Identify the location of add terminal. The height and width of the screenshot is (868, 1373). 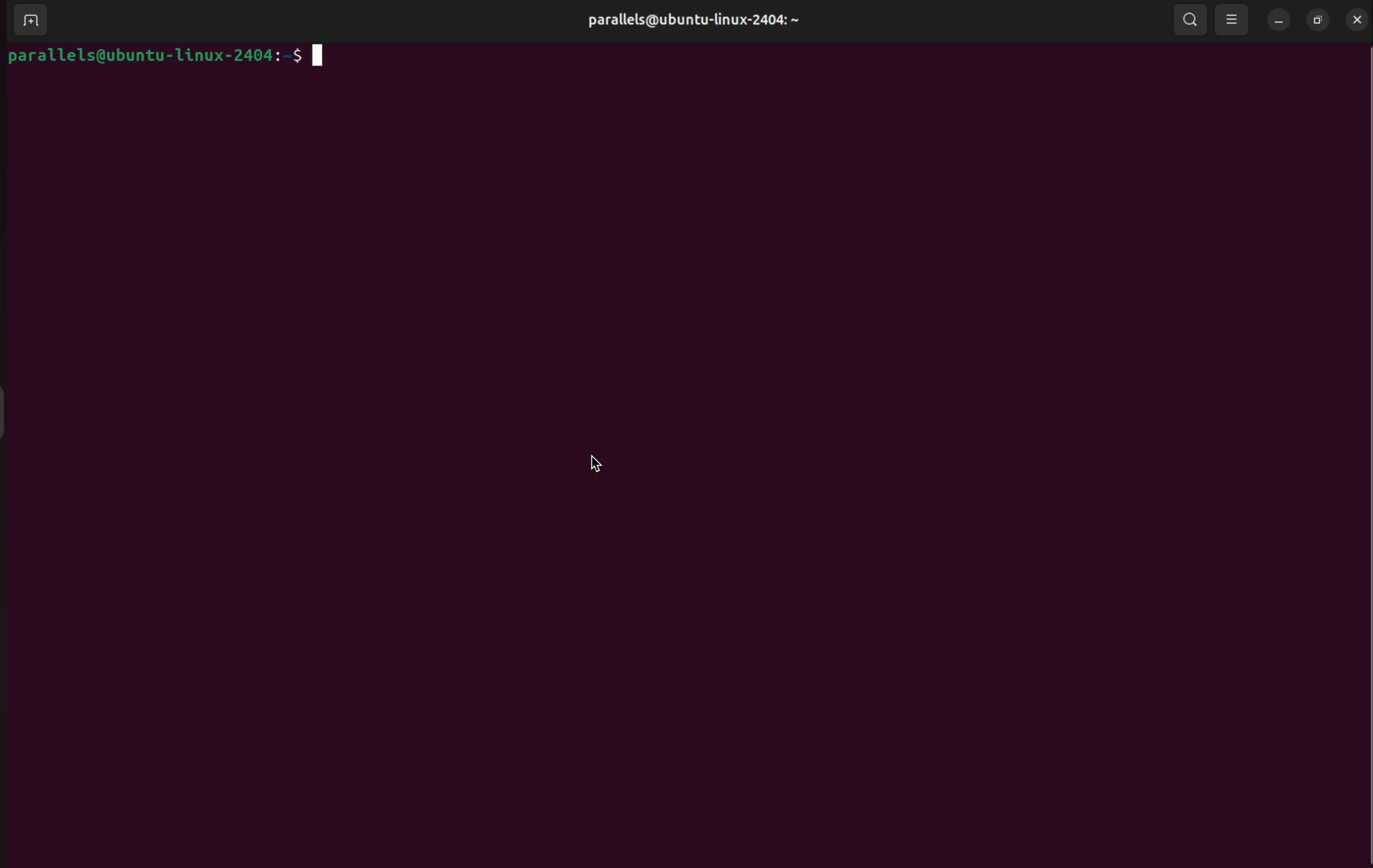
(30, 20).